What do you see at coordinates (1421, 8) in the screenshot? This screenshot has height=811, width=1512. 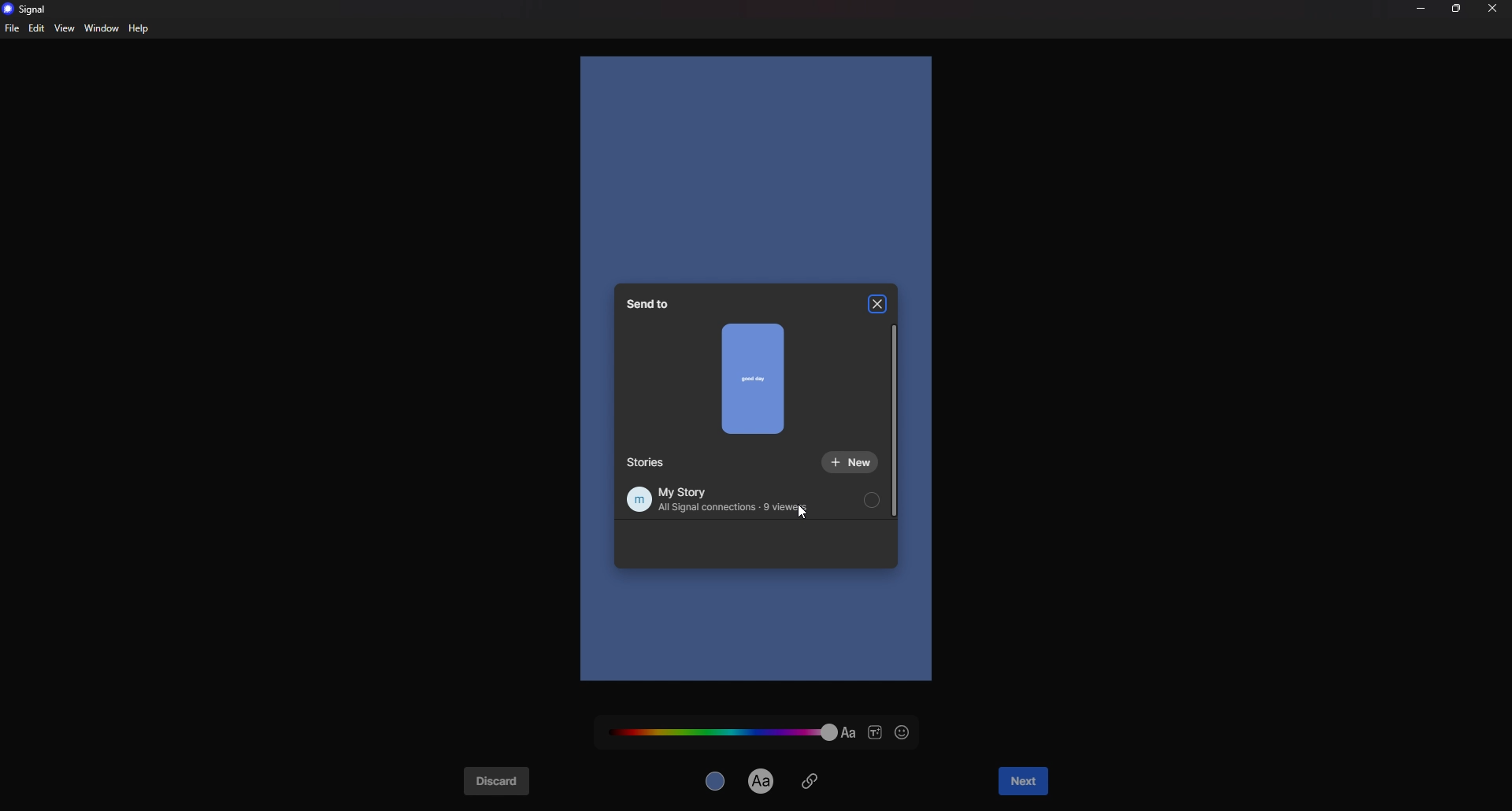 I see `minimize` at bounding box center [1421, 8].